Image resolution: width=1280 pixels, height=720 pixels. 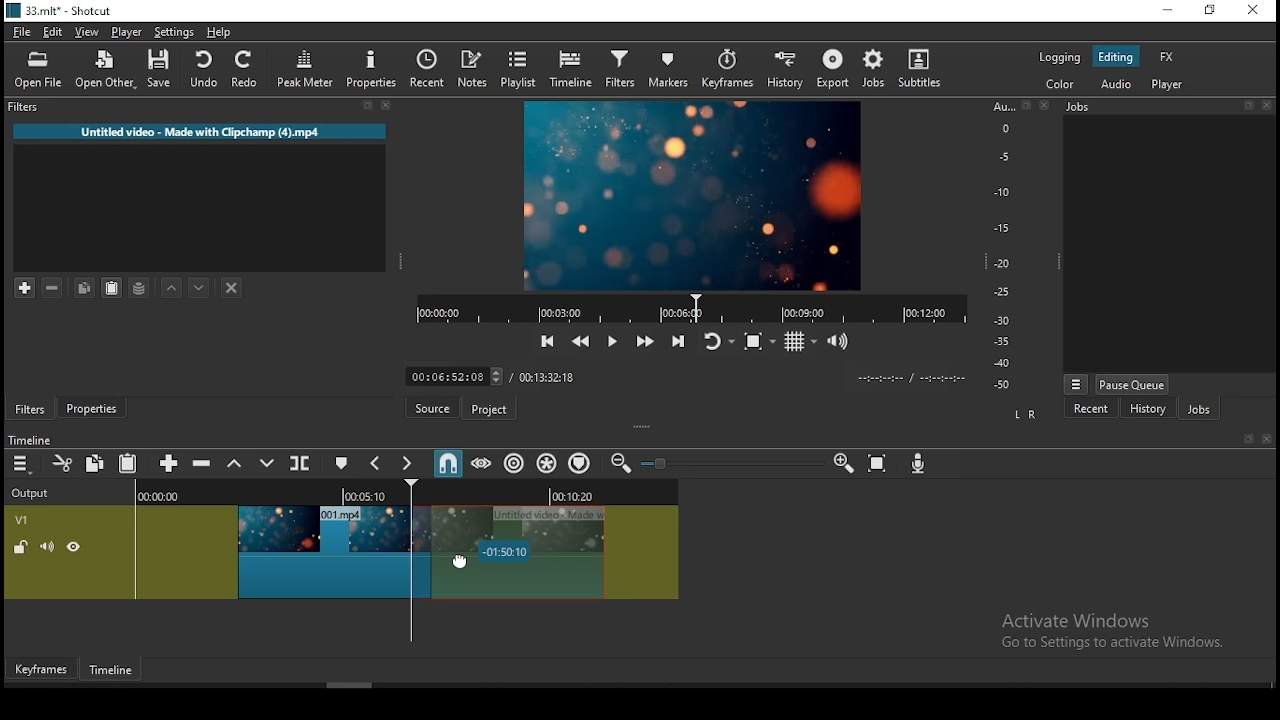 I want to click on source, so click(x=431, y=407).